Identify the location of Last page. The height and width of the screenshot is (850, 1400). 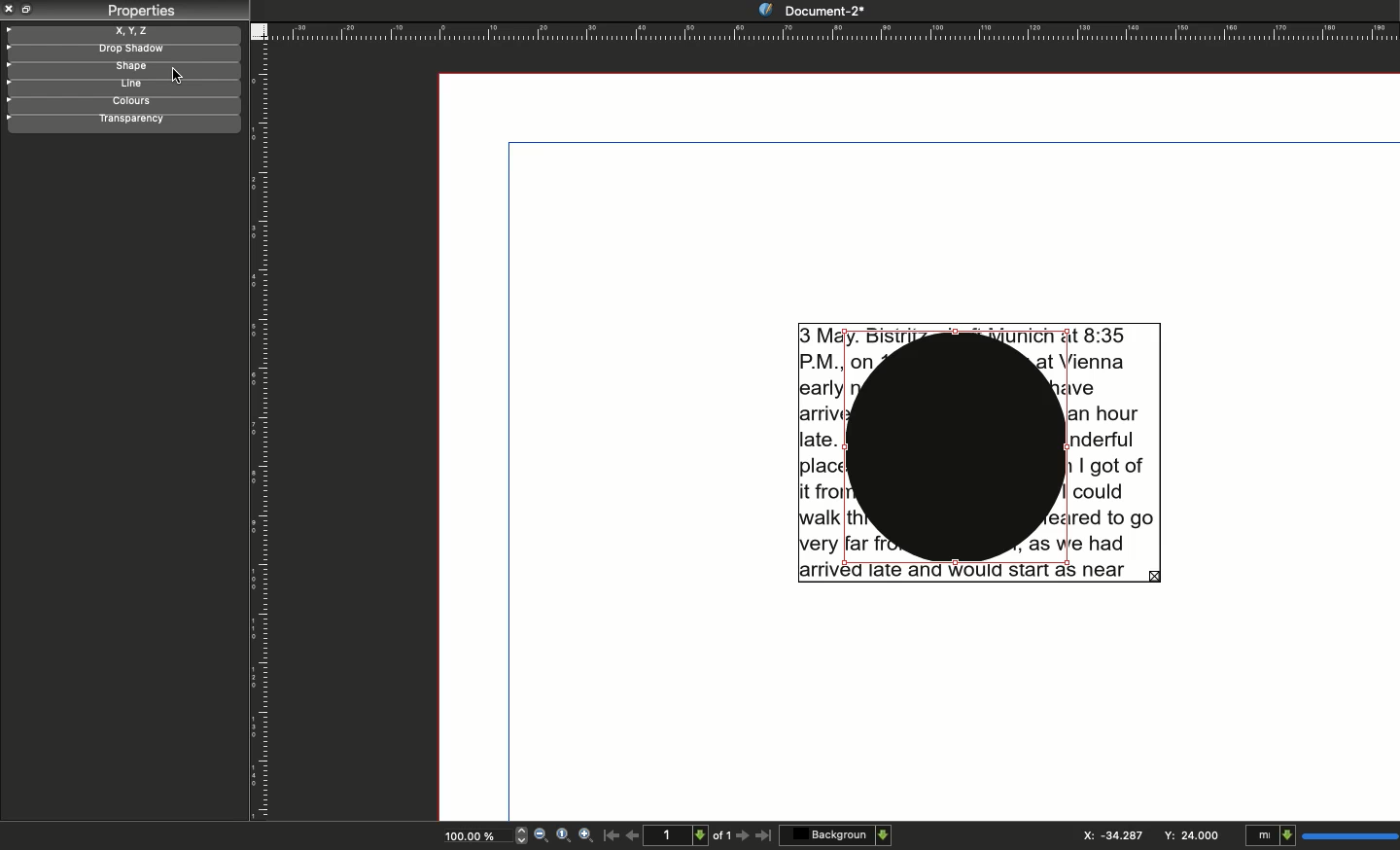
(764, 838).